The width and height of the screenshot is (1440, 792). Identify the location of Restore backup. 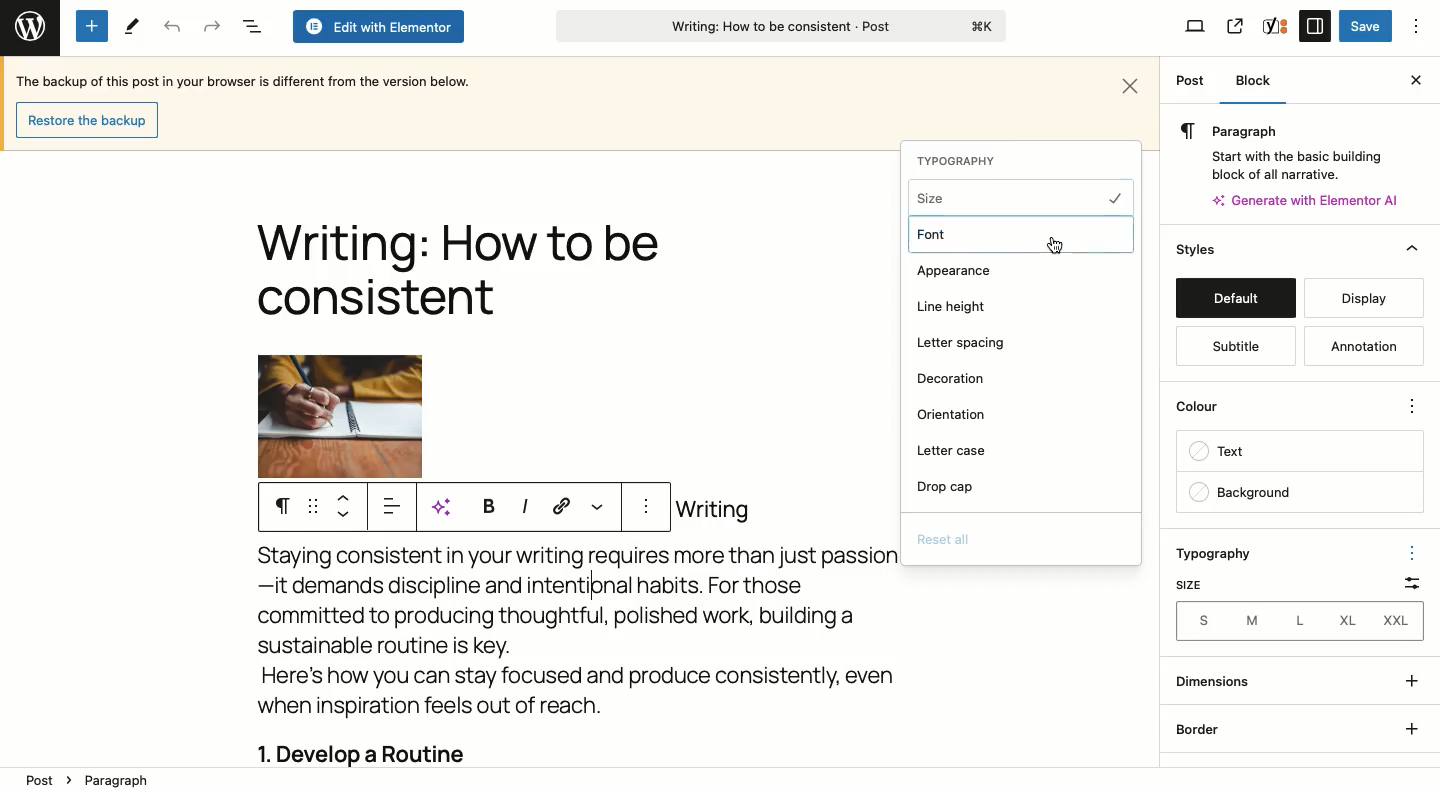
(85, 119).